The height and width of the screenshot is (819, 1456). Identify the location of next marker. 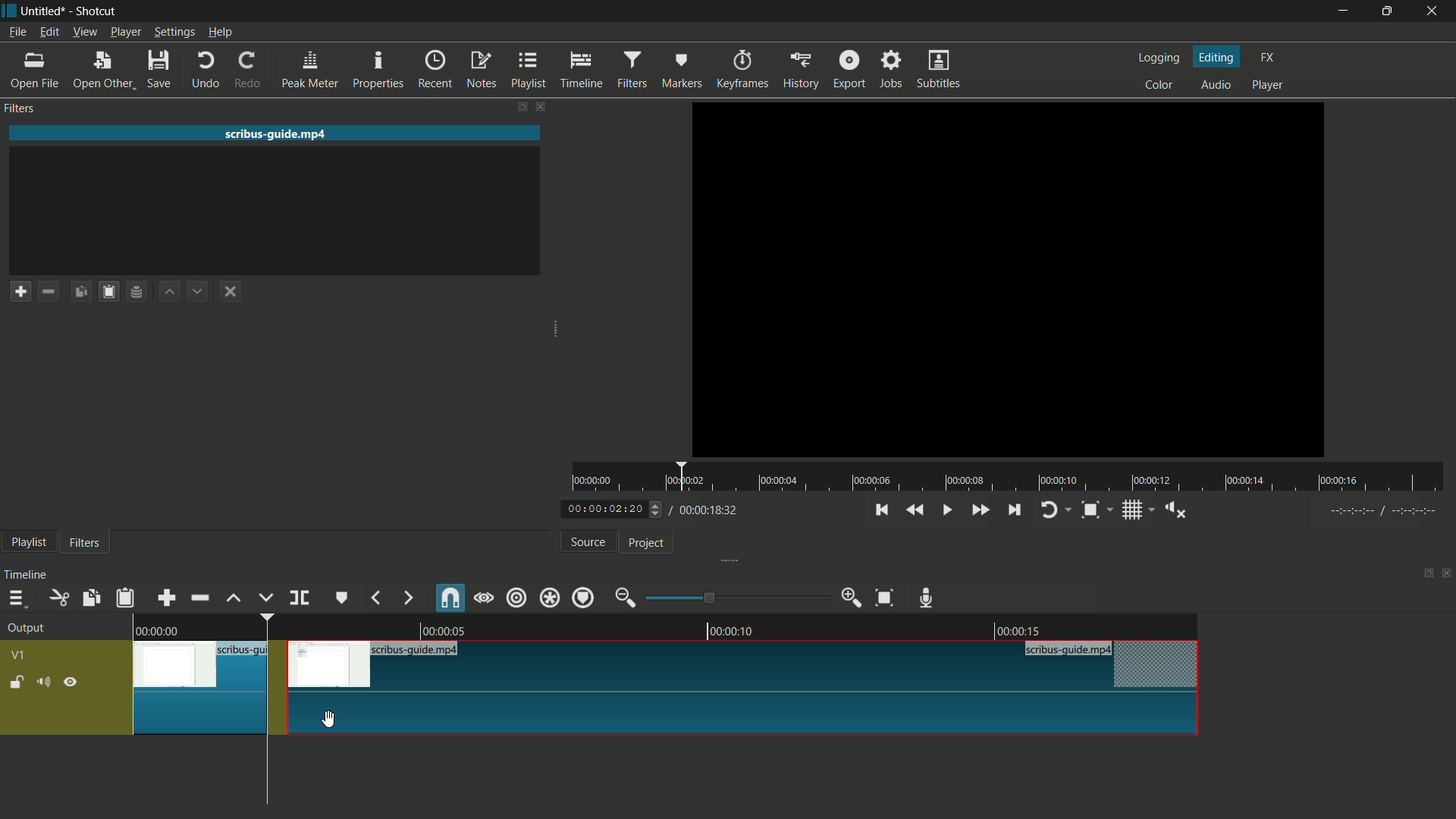
(409, 598).